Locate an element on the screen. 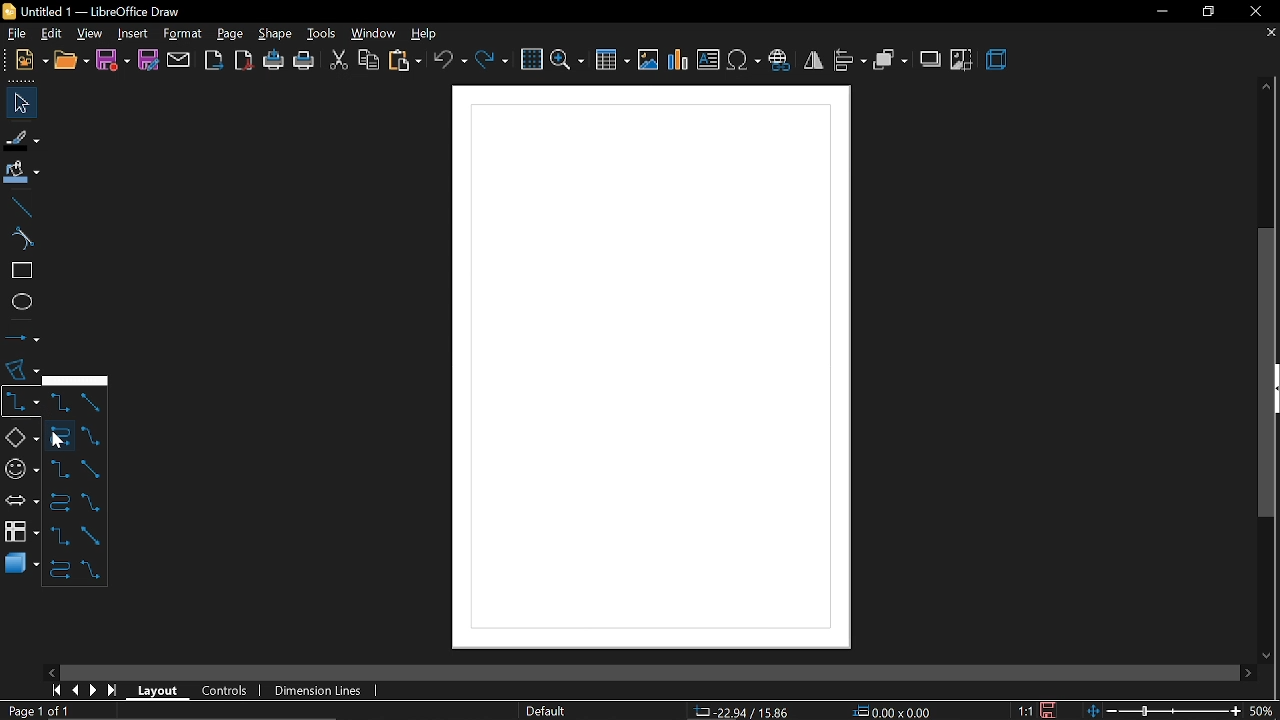 The width and height of the screenshot is (1280, 720). go to last page is located at coordinates (114, 690).